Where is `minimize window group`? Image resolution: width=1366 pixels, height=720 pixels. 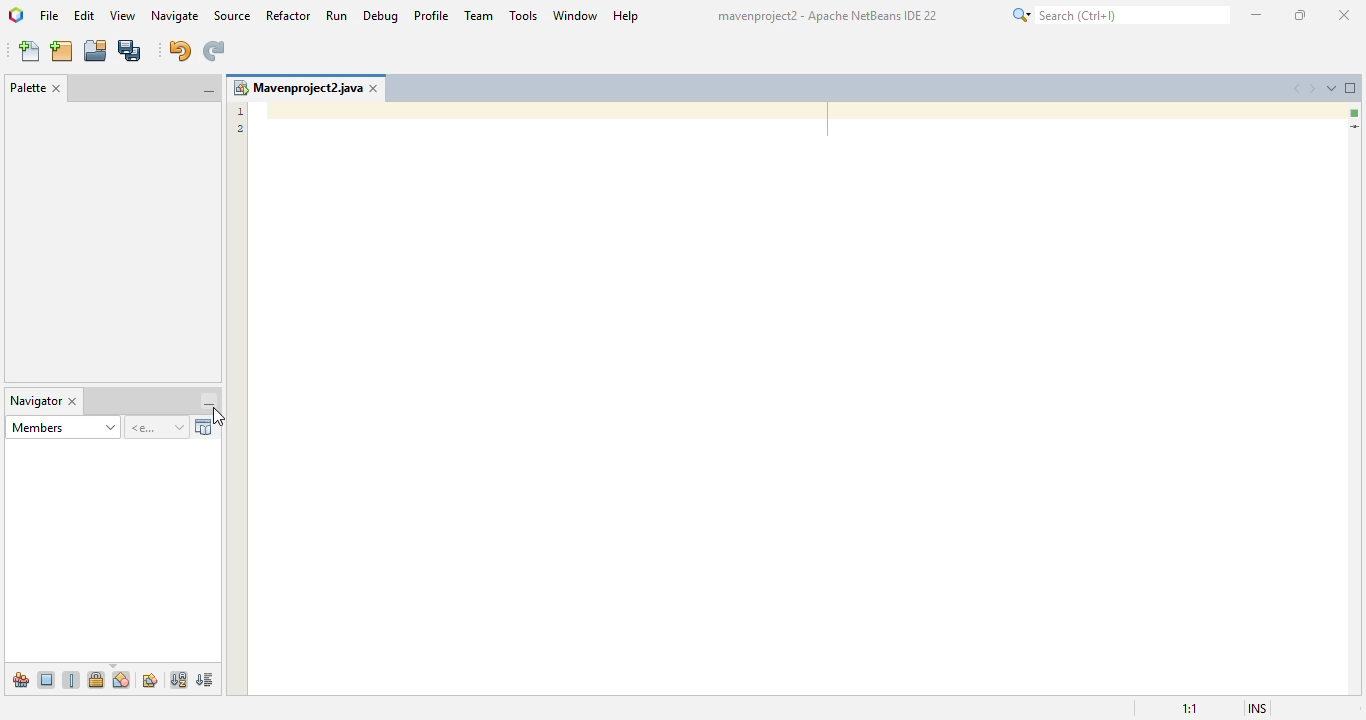
minimize window group is located at coordinates (209, 403).